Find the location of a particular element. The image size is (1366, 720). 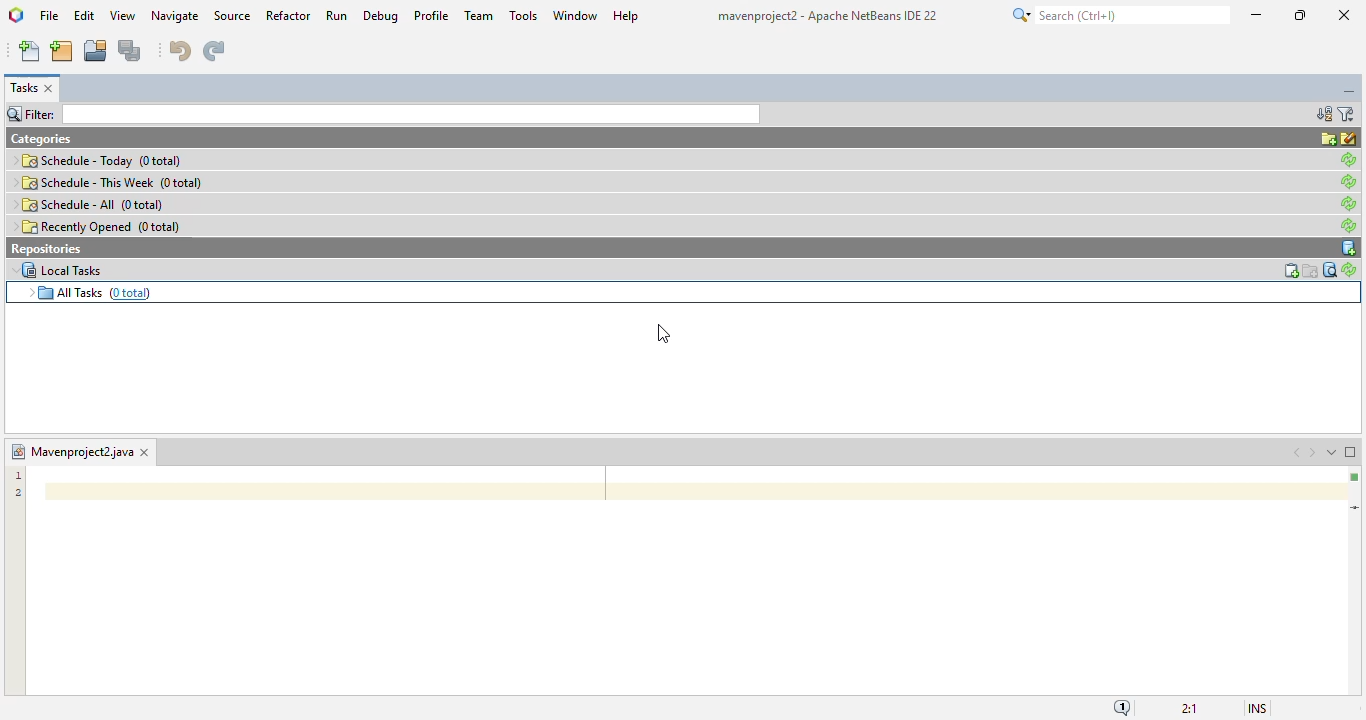

new file is located at coordinates (32, 51).